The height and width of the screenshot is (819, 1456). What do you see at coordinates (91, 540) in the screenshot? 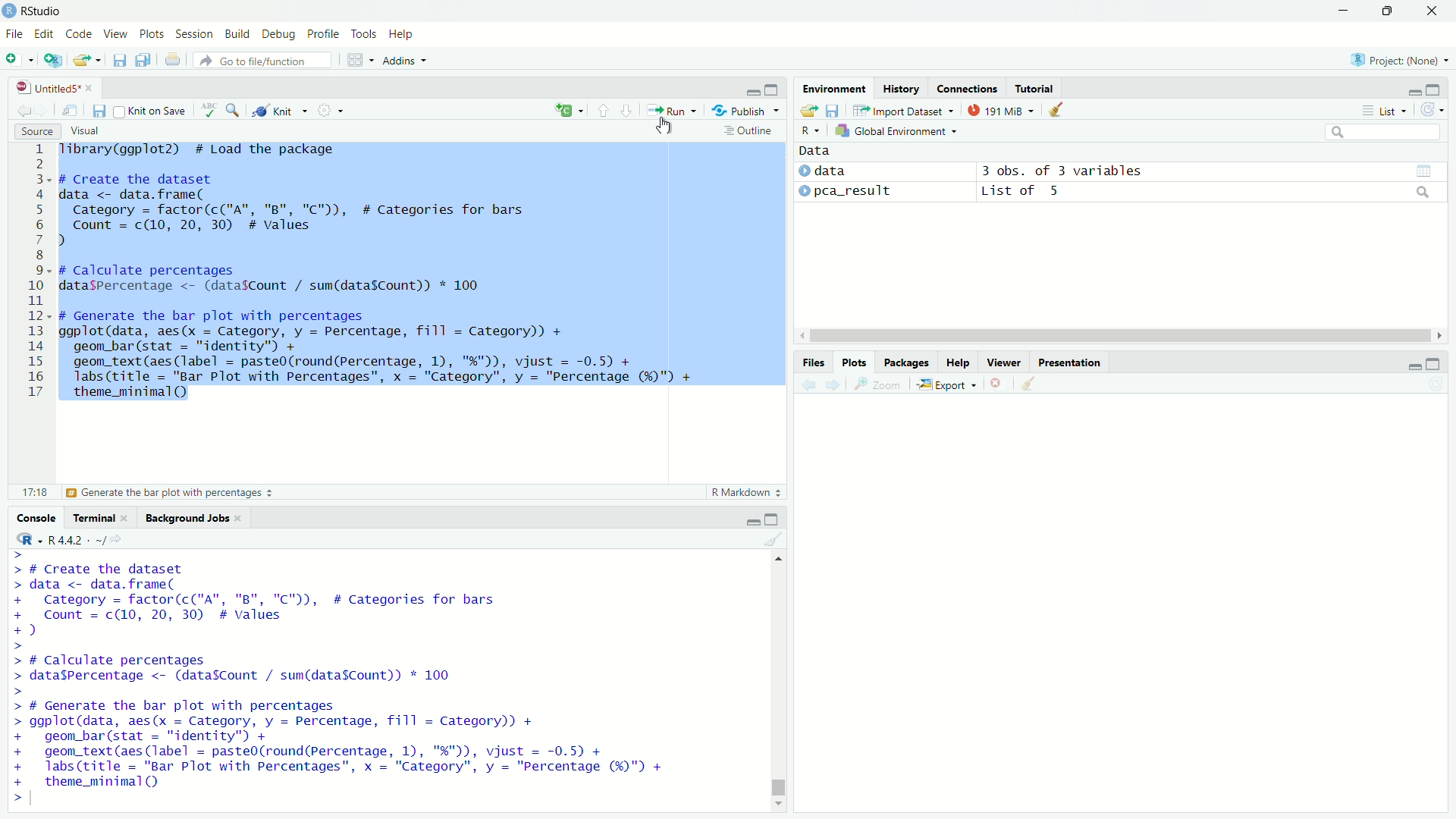
I see `R language version - R4.4.2` at bounding box center [91, 540].